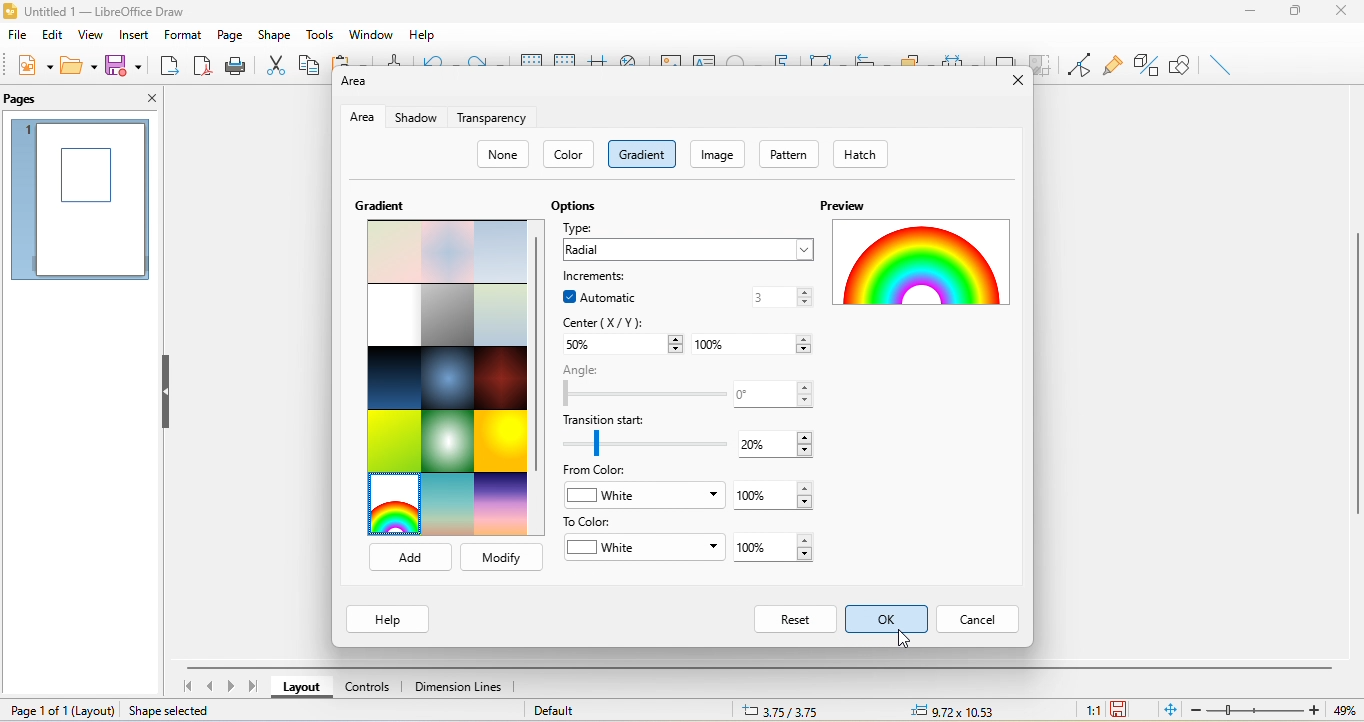 The image size is (1364, 722). What do you see at coordinates (386, 620) in the screenshot?
I see `help` at bounding box center [386, 620].